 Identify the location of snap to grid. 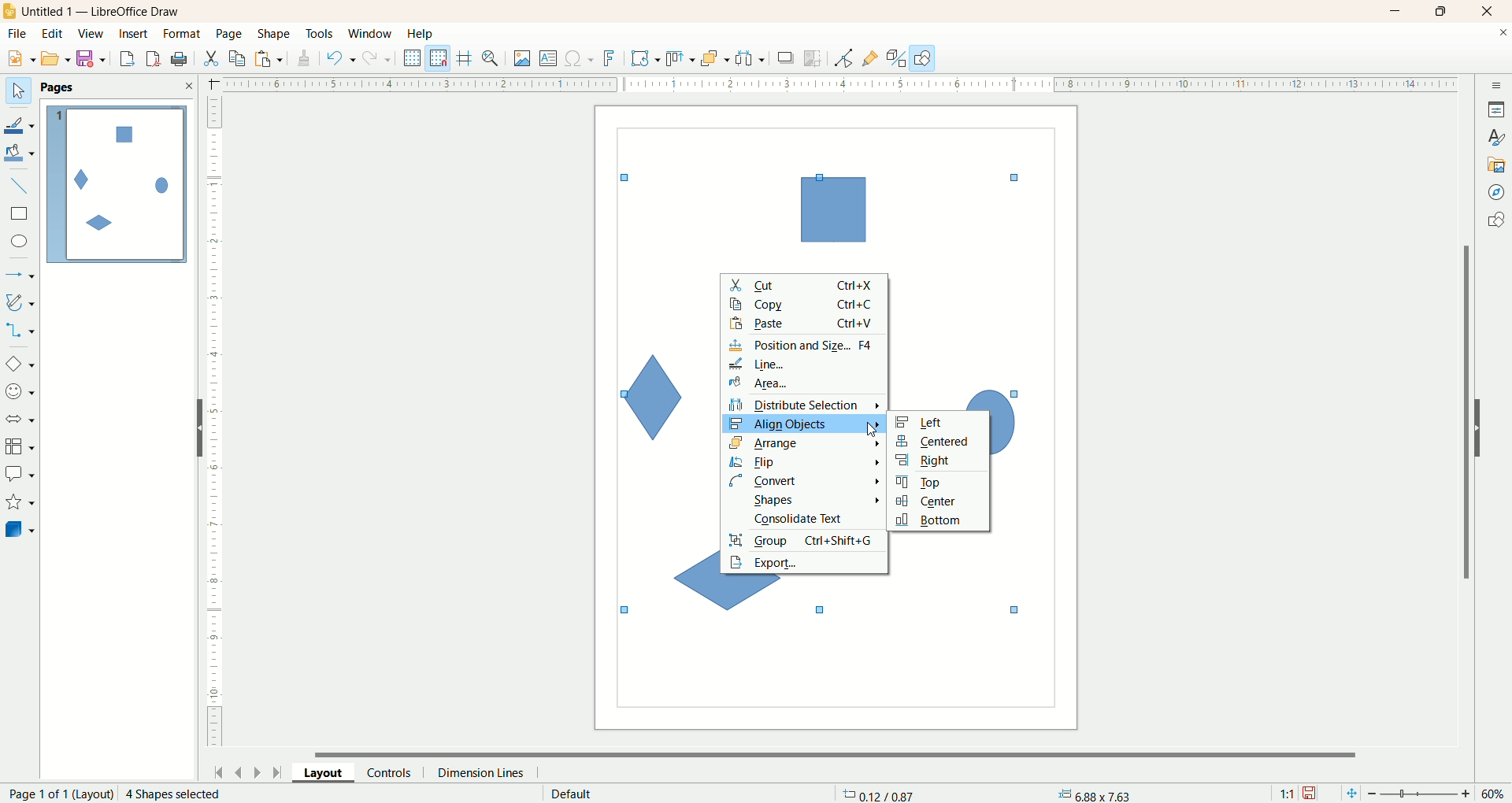
(442, 58).